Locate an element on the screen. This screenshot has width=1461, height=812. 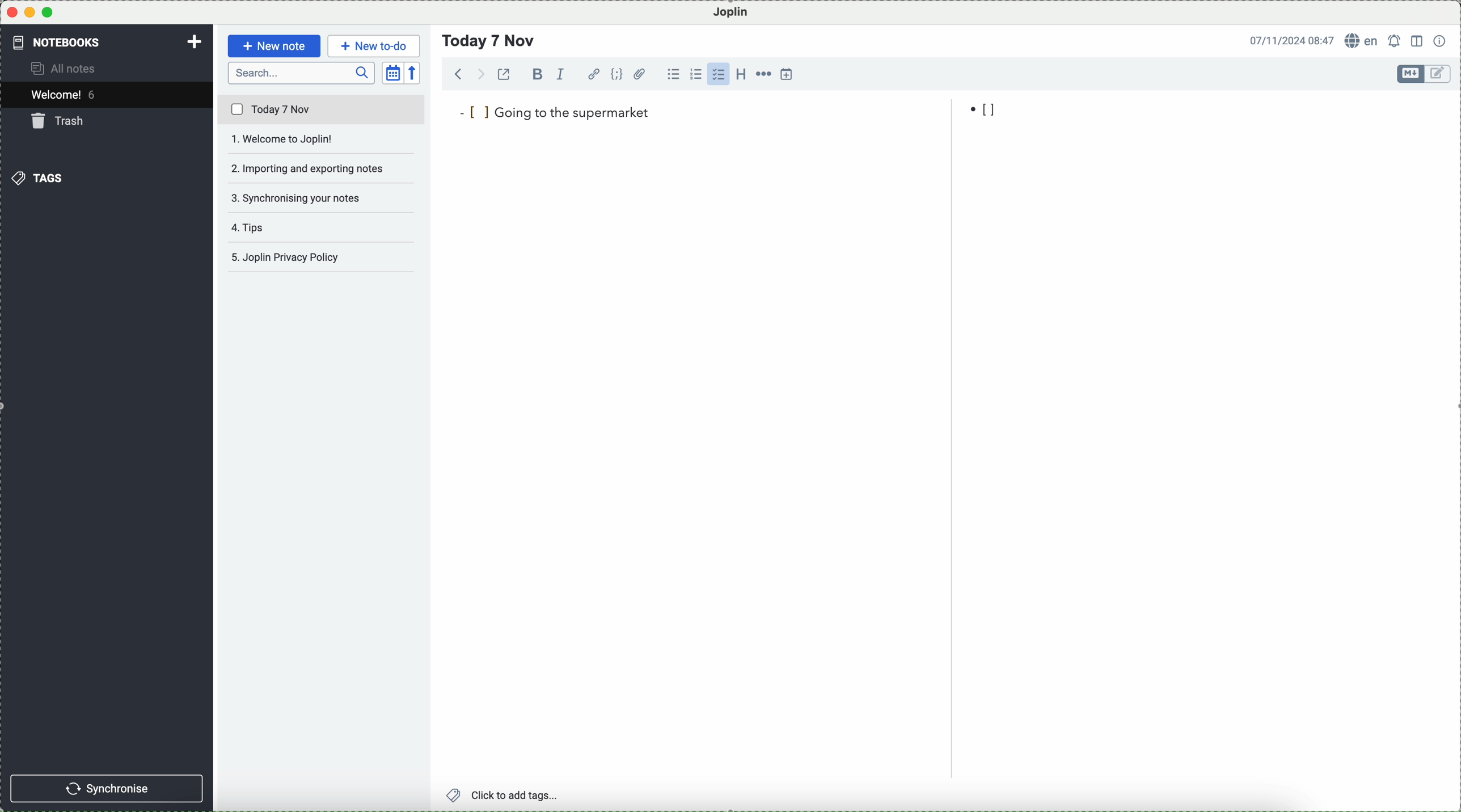
language is located at coordinates (1362, 40).